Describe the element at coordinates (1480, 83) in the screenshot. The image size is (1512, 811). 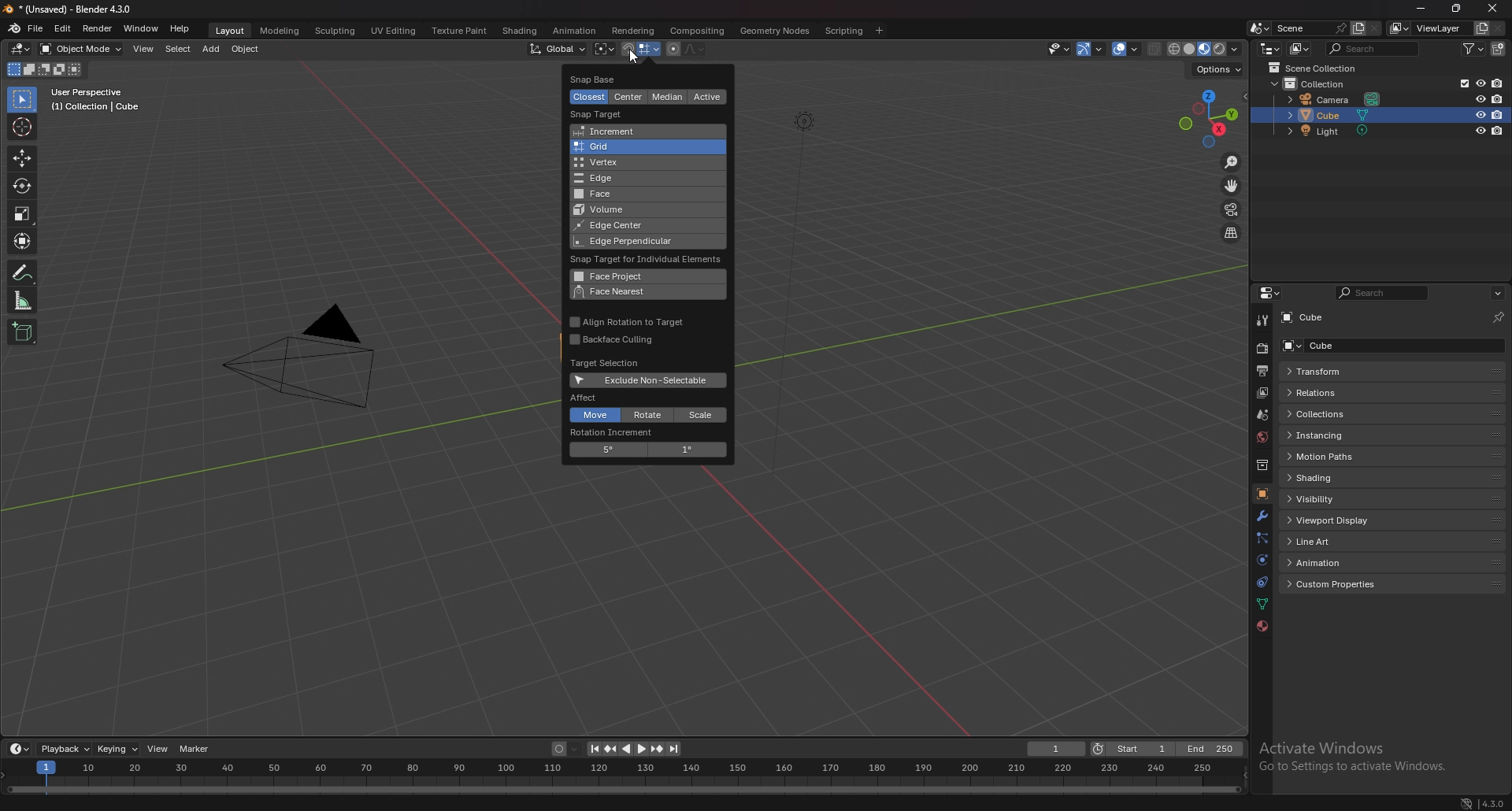
I see `hide in viewport` at that location.